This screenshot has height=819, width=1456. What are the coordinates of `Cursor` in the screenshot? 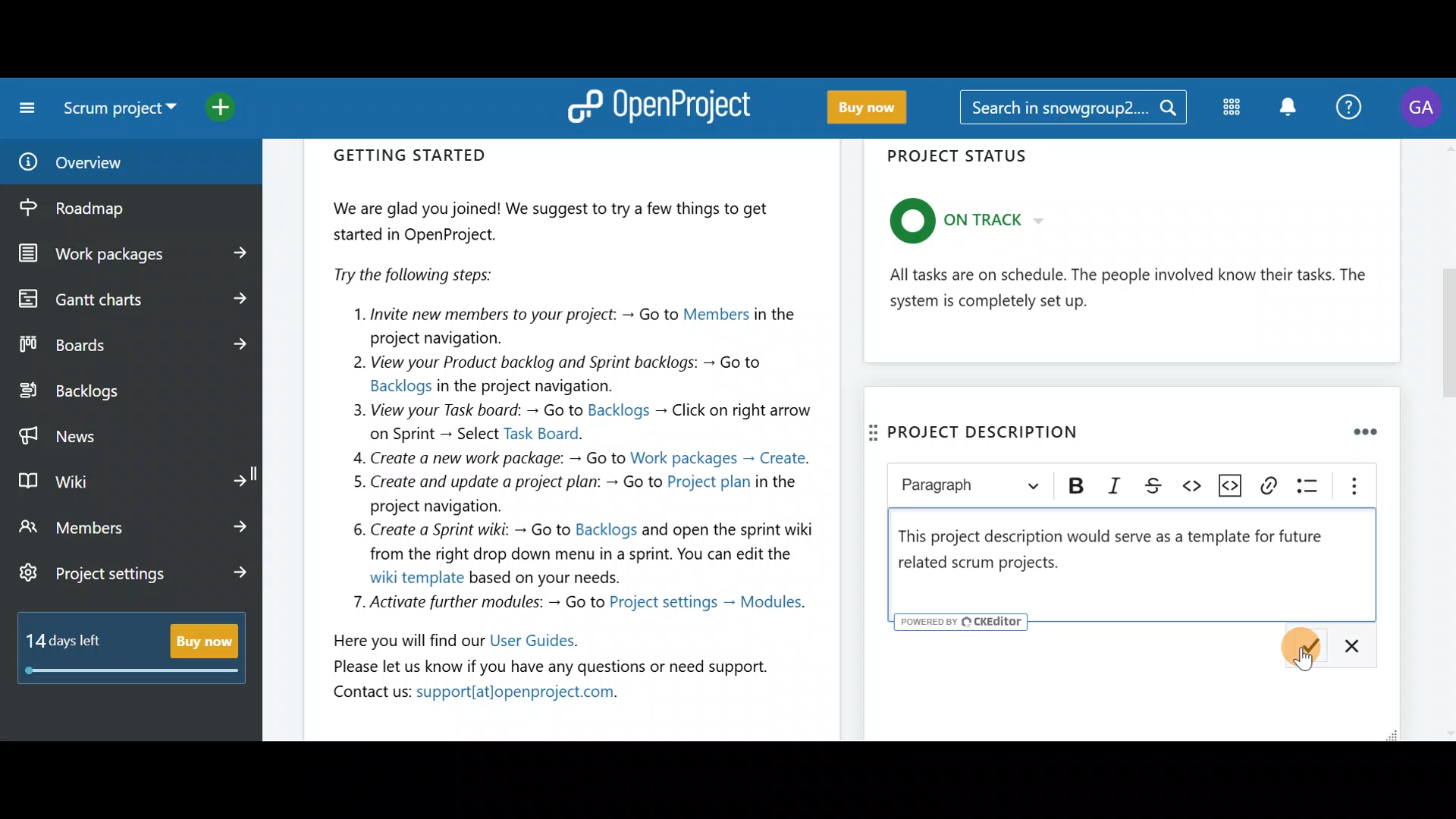 It's located at (1304, 658).